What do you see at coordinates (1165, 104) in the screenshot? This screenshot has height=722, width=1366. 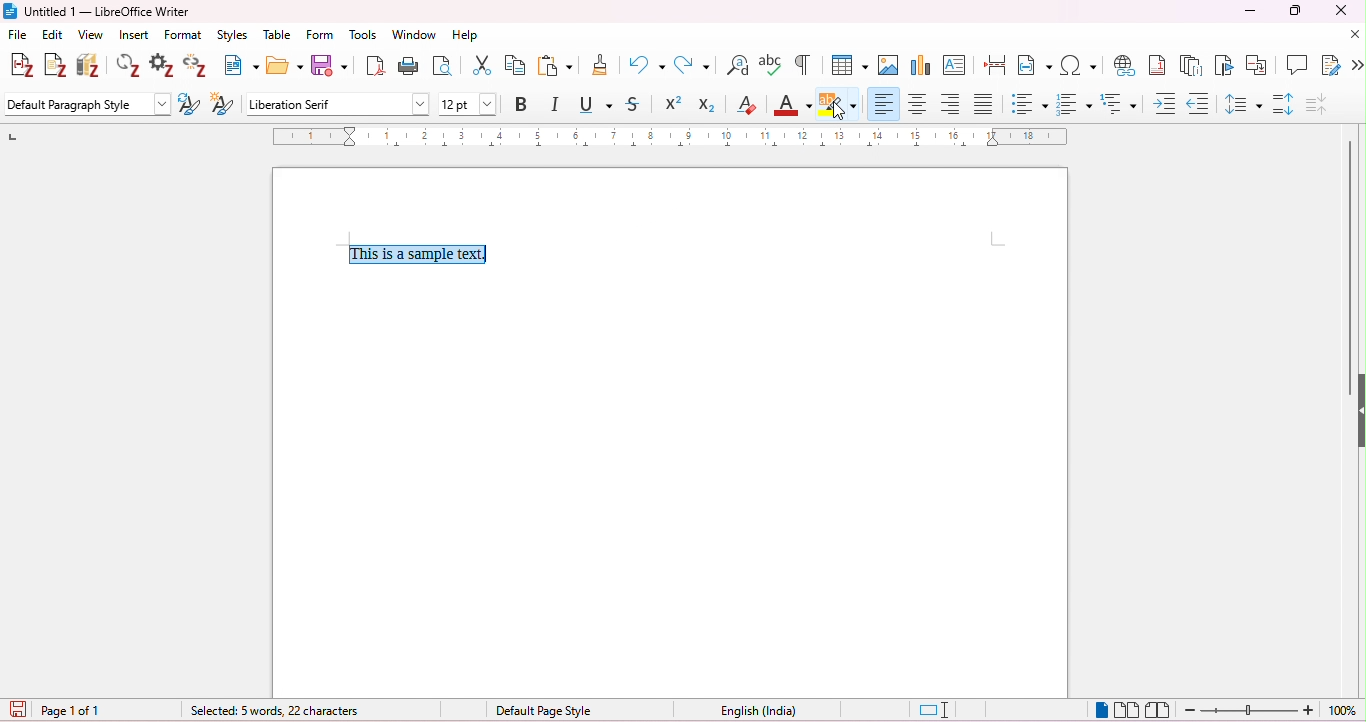 I see `increase indent` at bounding box center [1165, 104].